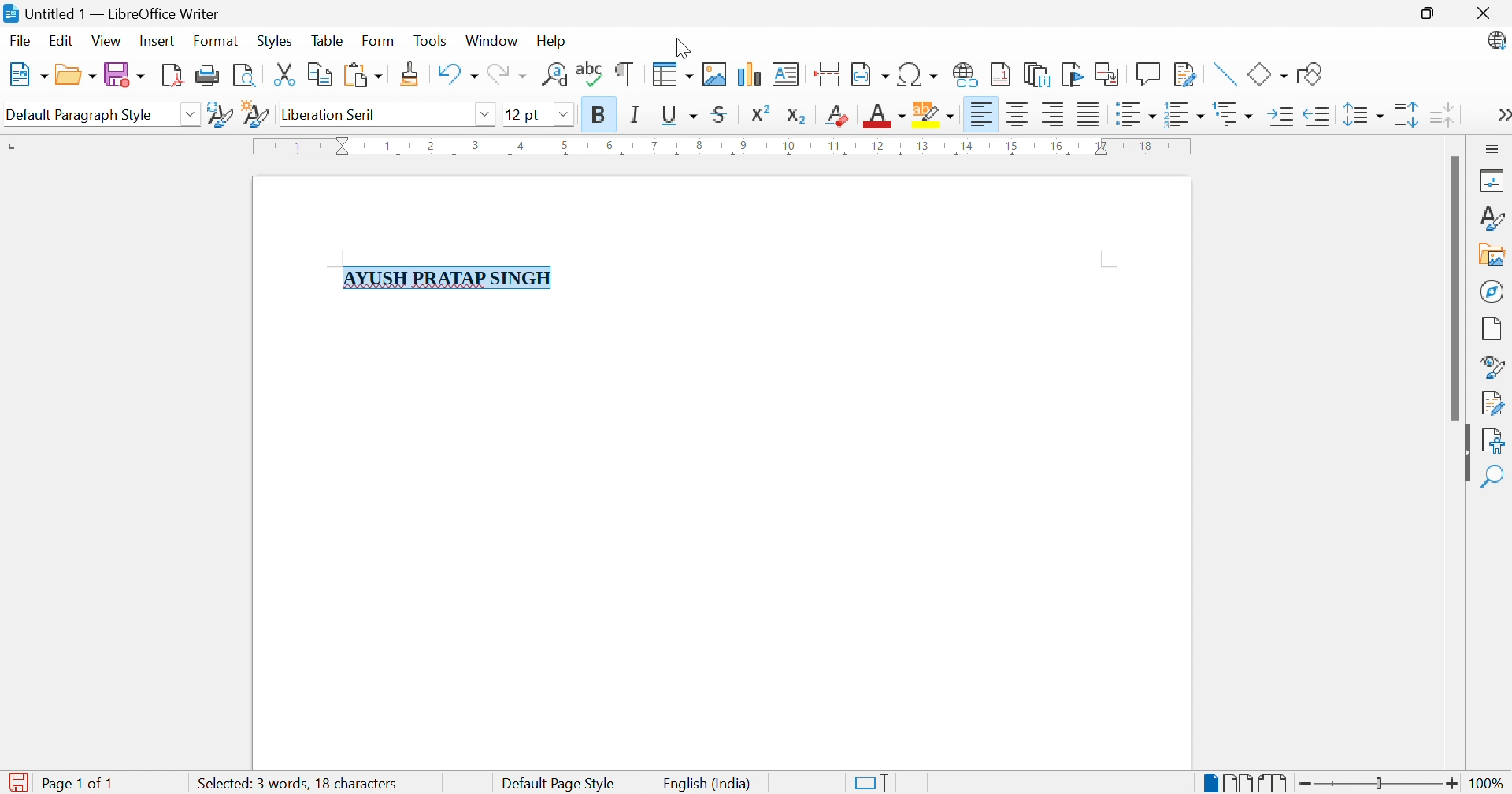 The image size is (1512, 794). I want to click on Default Page Style, so click(561, 782).